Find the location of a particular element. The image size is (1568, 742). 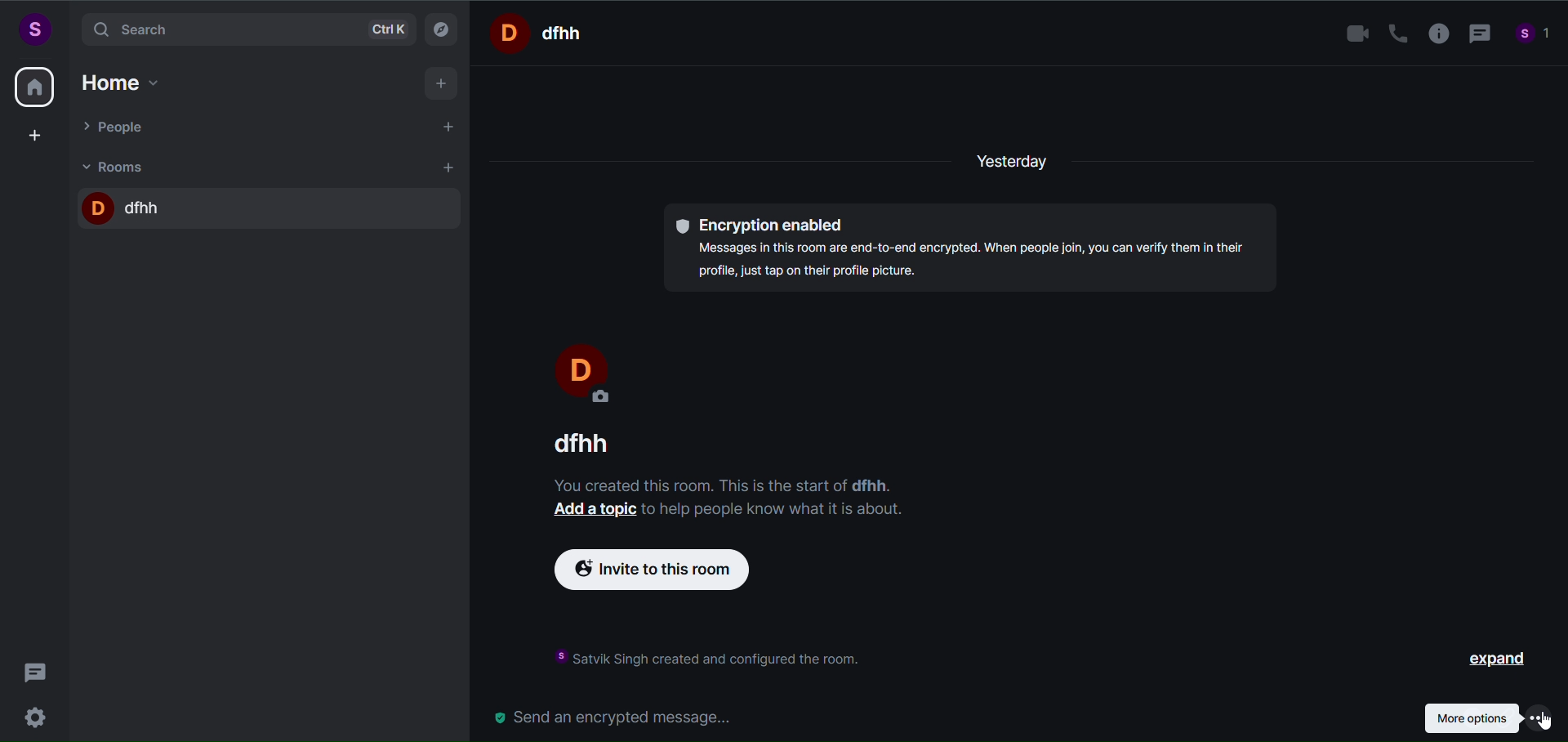

invite to this room is located at coordinates (666, 575).